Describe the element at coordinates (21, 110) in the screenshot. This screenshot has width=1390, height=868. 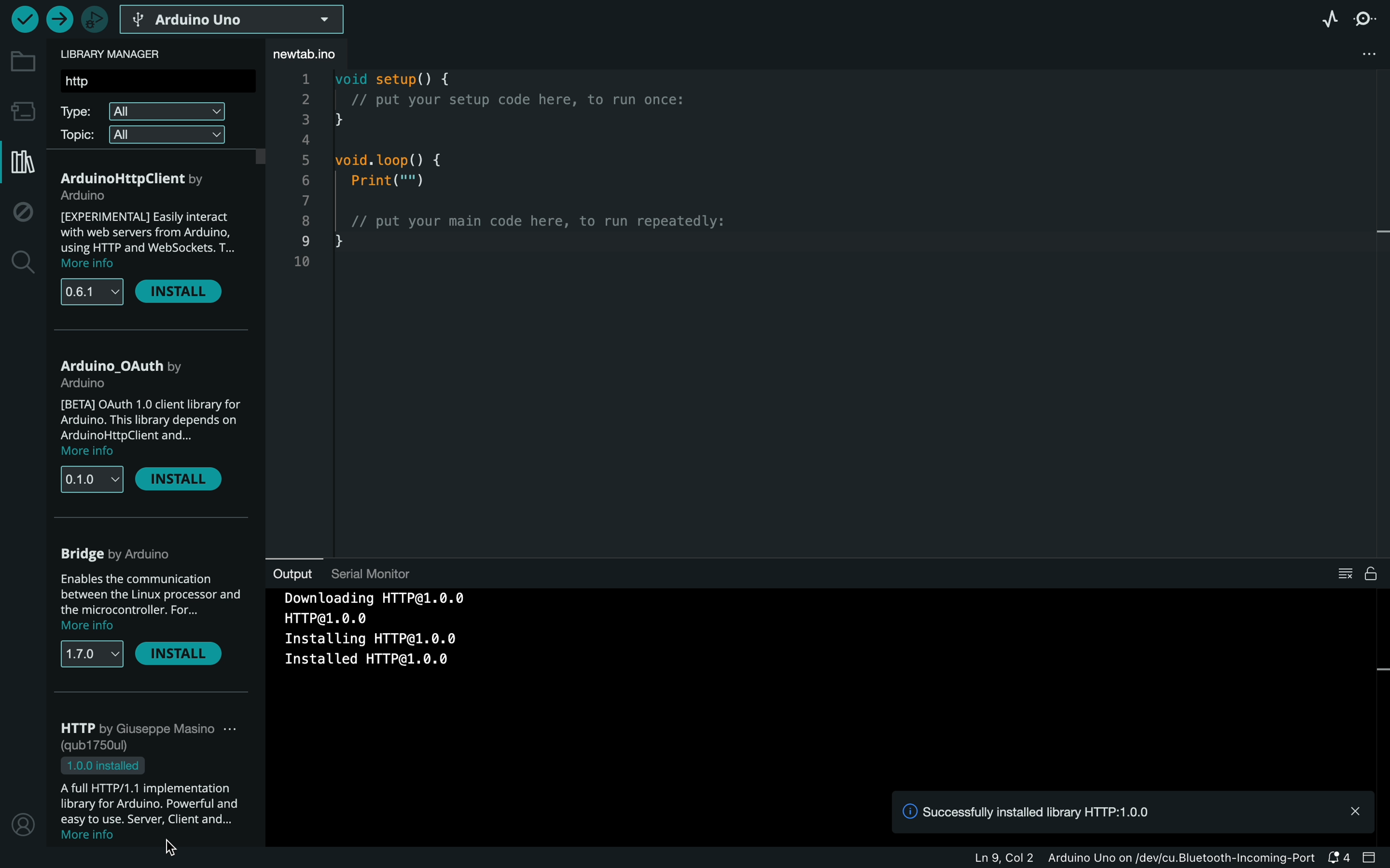
I see `board manager` at that location.